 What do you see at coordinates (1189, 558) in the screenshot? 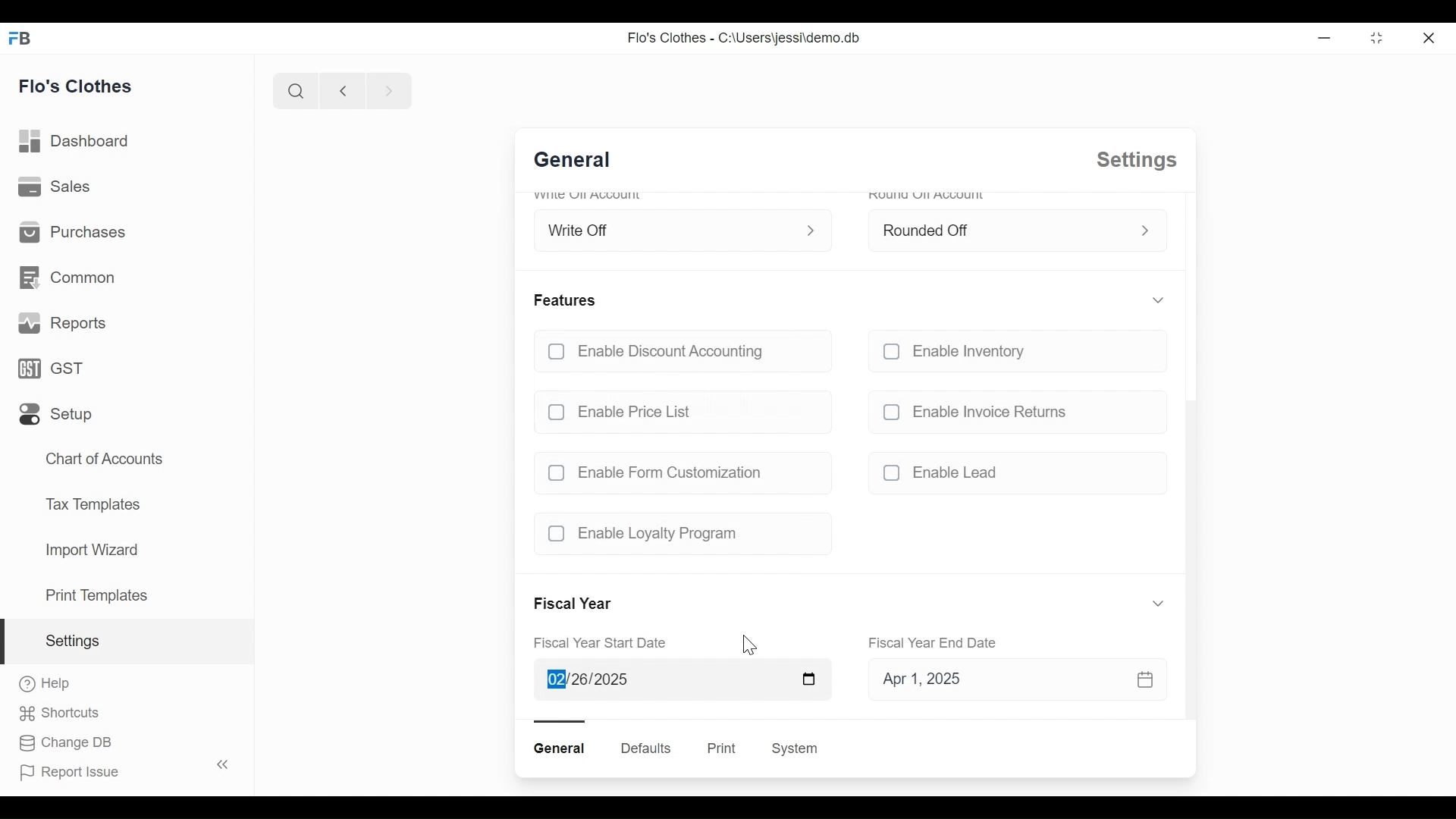
I see `Vertical scroll bar` at bounding box center [1189, 558].